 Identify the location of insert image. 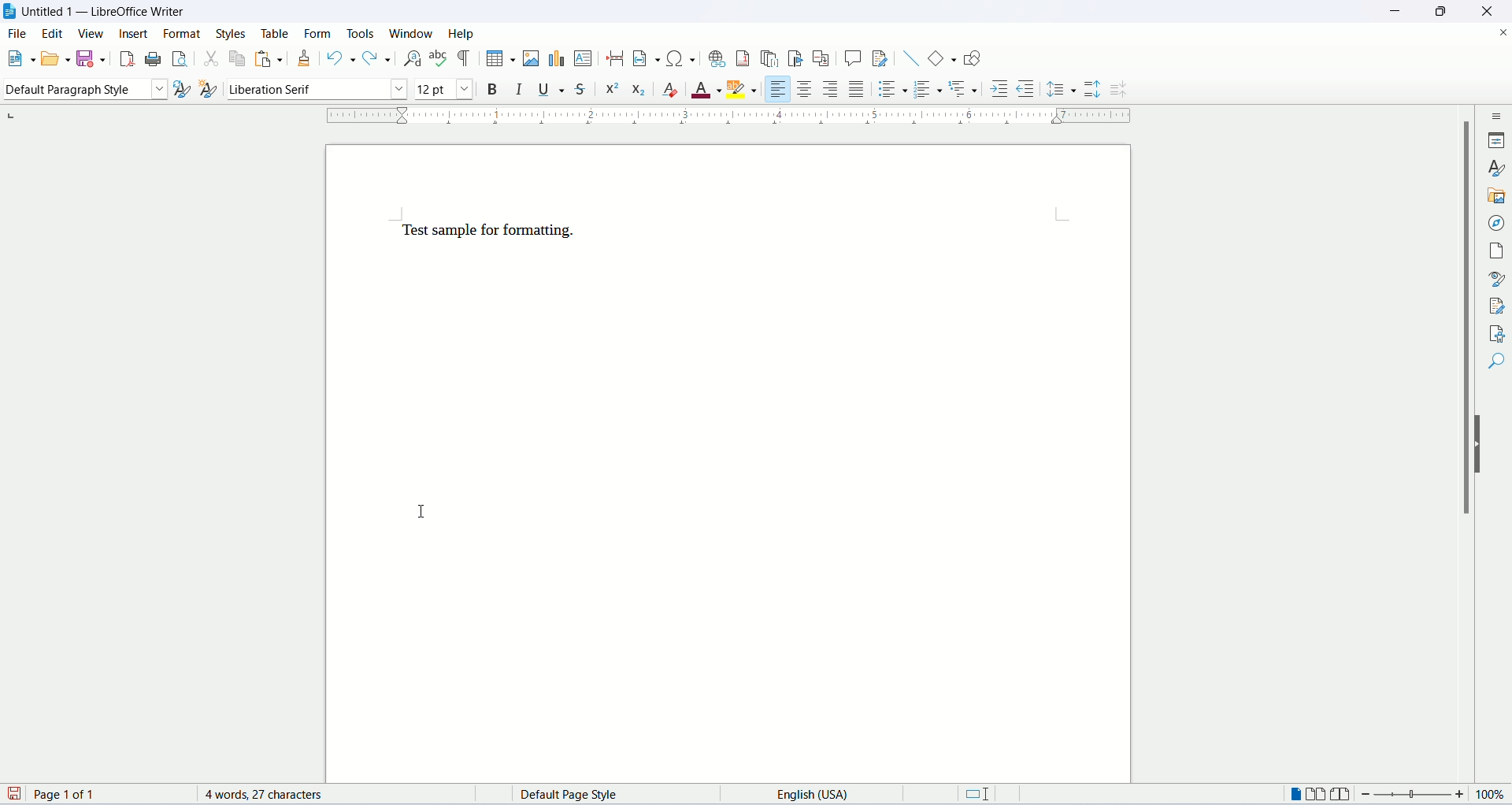
(530, 58).